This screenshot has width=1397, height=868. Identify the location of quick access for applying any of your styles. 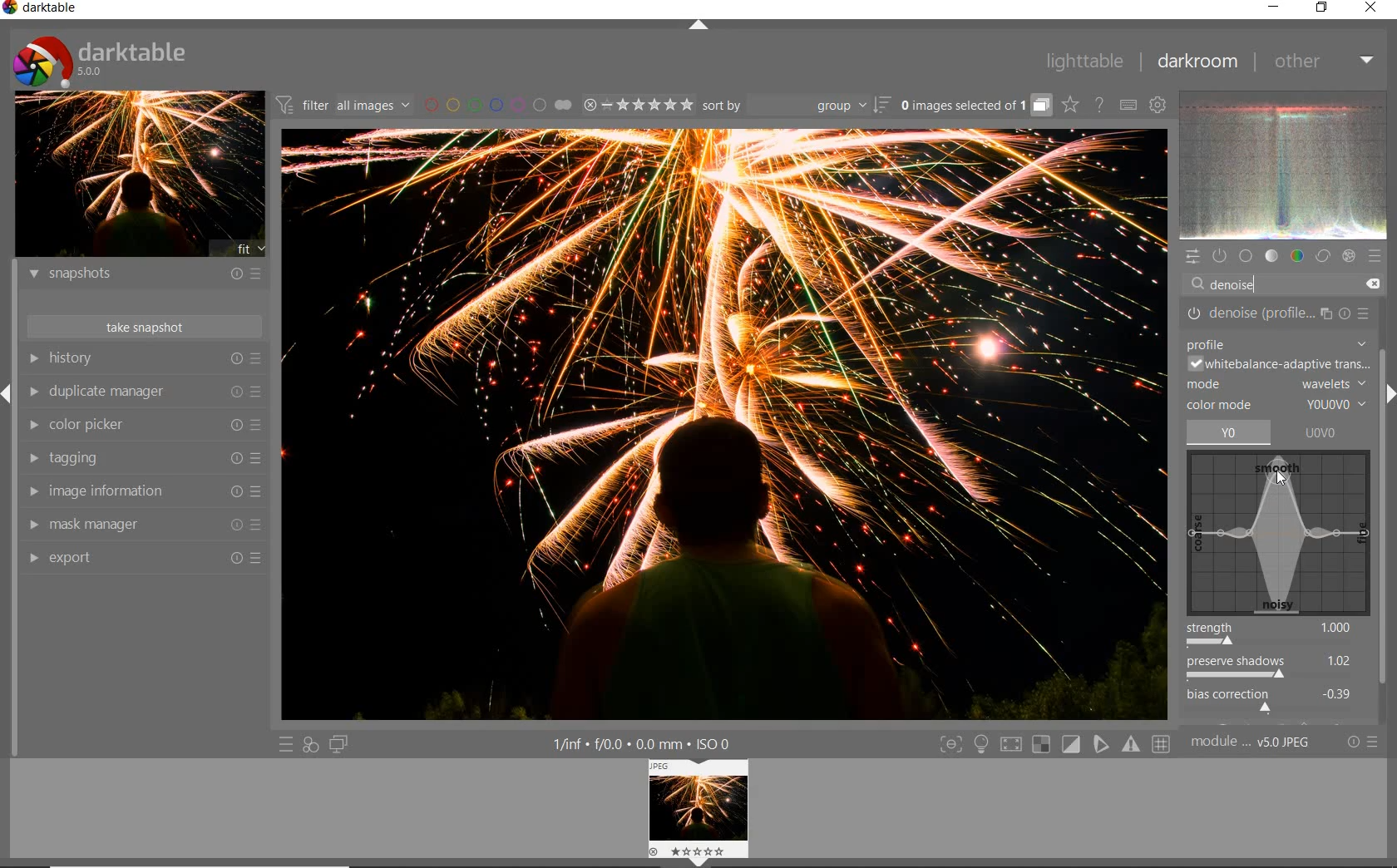
(311, 745).